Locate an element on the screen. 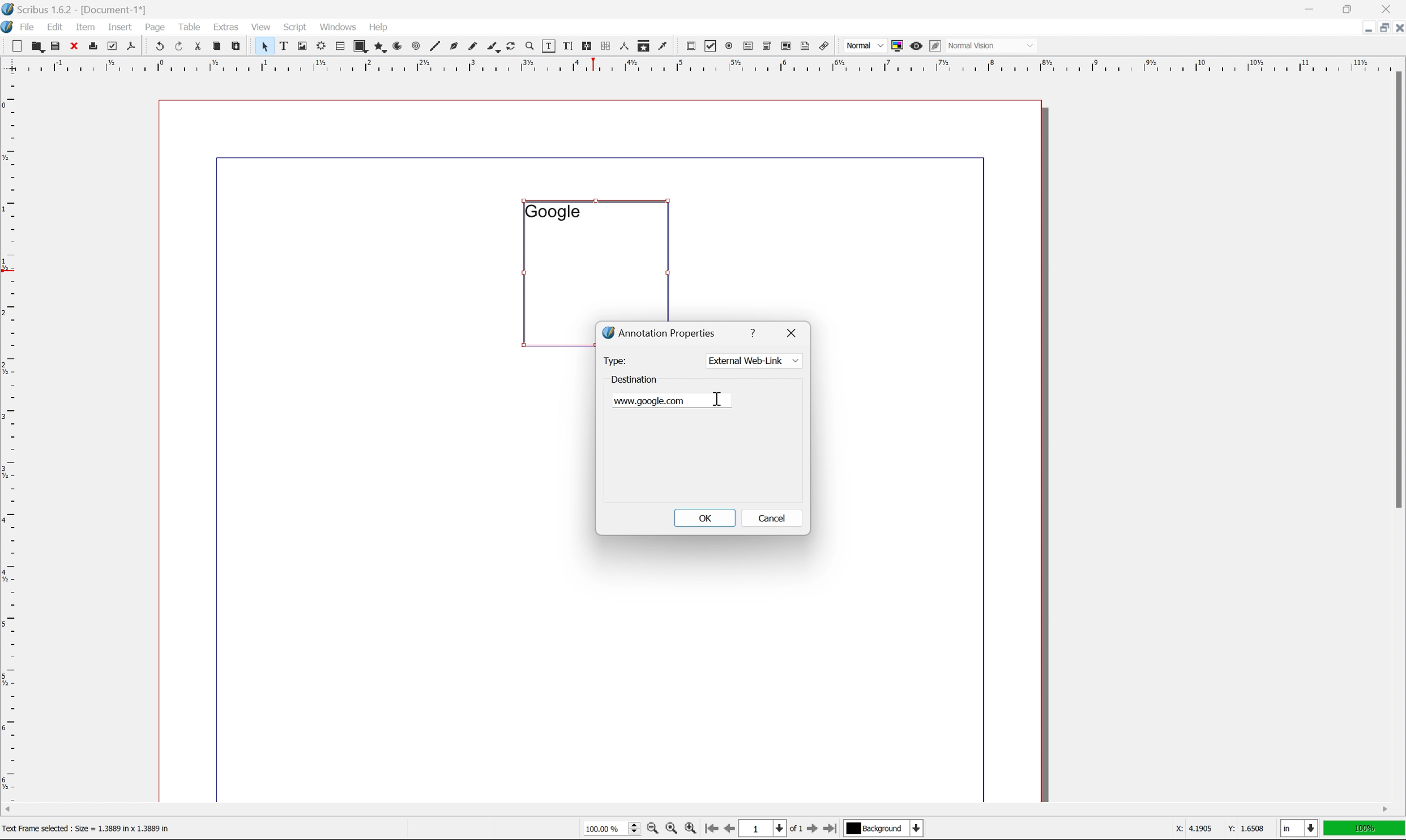 The height and width of the screenshot is (840, 1406). restore down is located at coordinates (1379, 28).